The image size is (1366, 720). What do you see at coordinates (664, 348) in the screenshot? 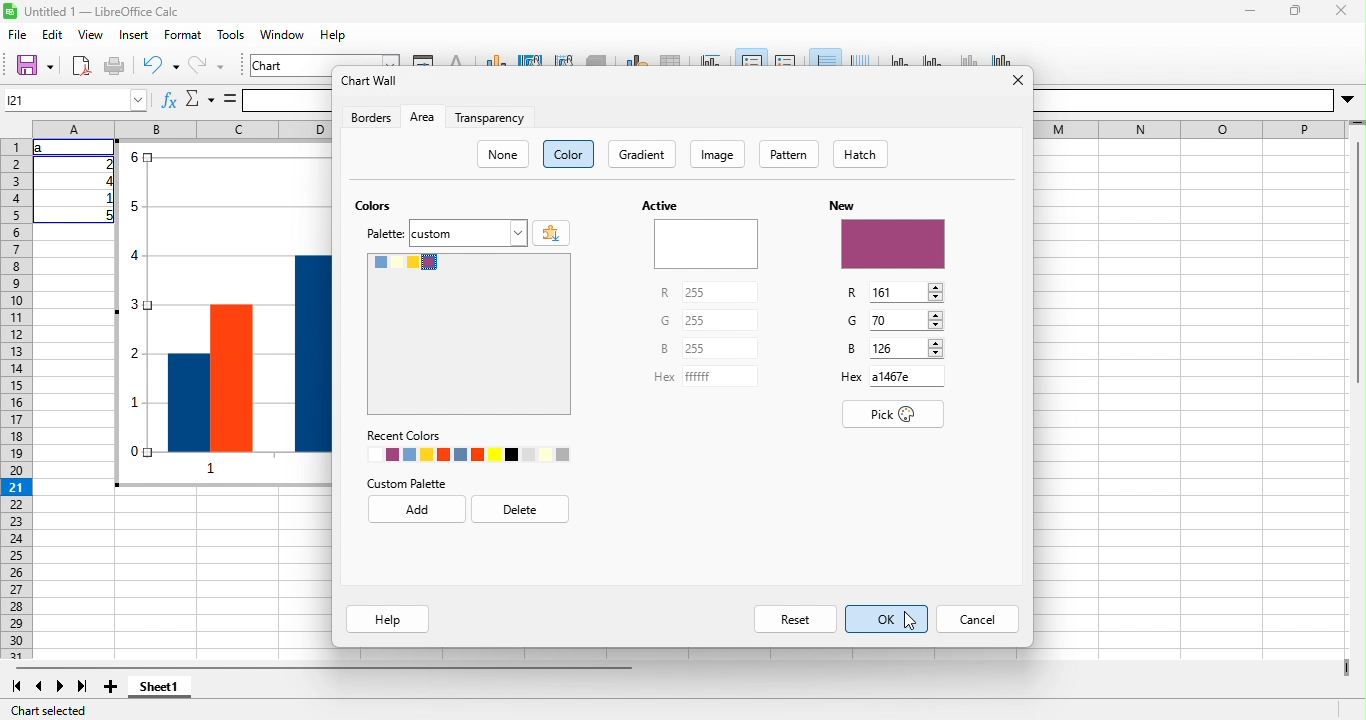
I see `B` at bounding box center [664, 348].